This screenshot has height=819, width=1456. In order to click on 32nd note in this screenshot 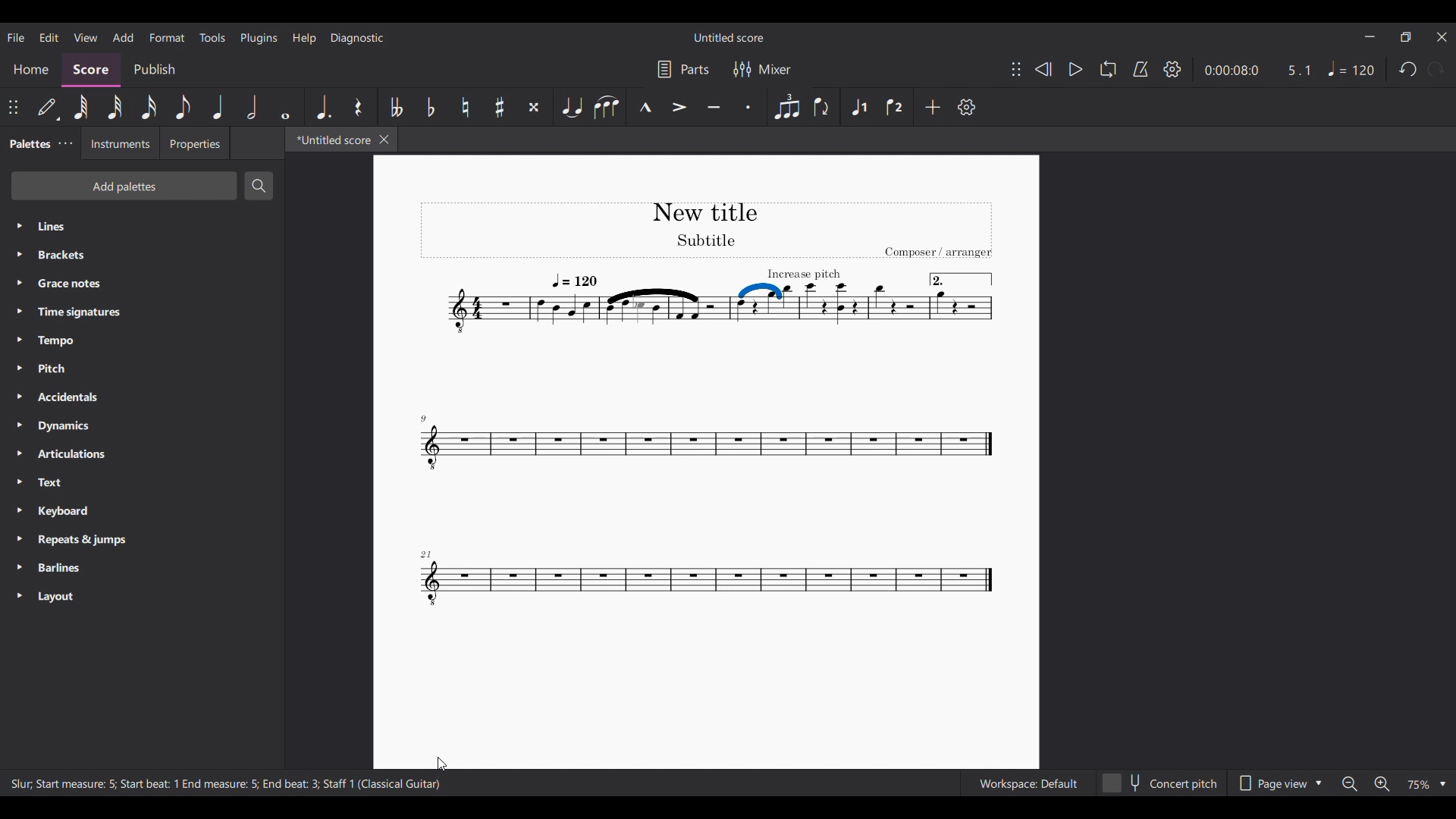, I will do `click(115, 108)`.